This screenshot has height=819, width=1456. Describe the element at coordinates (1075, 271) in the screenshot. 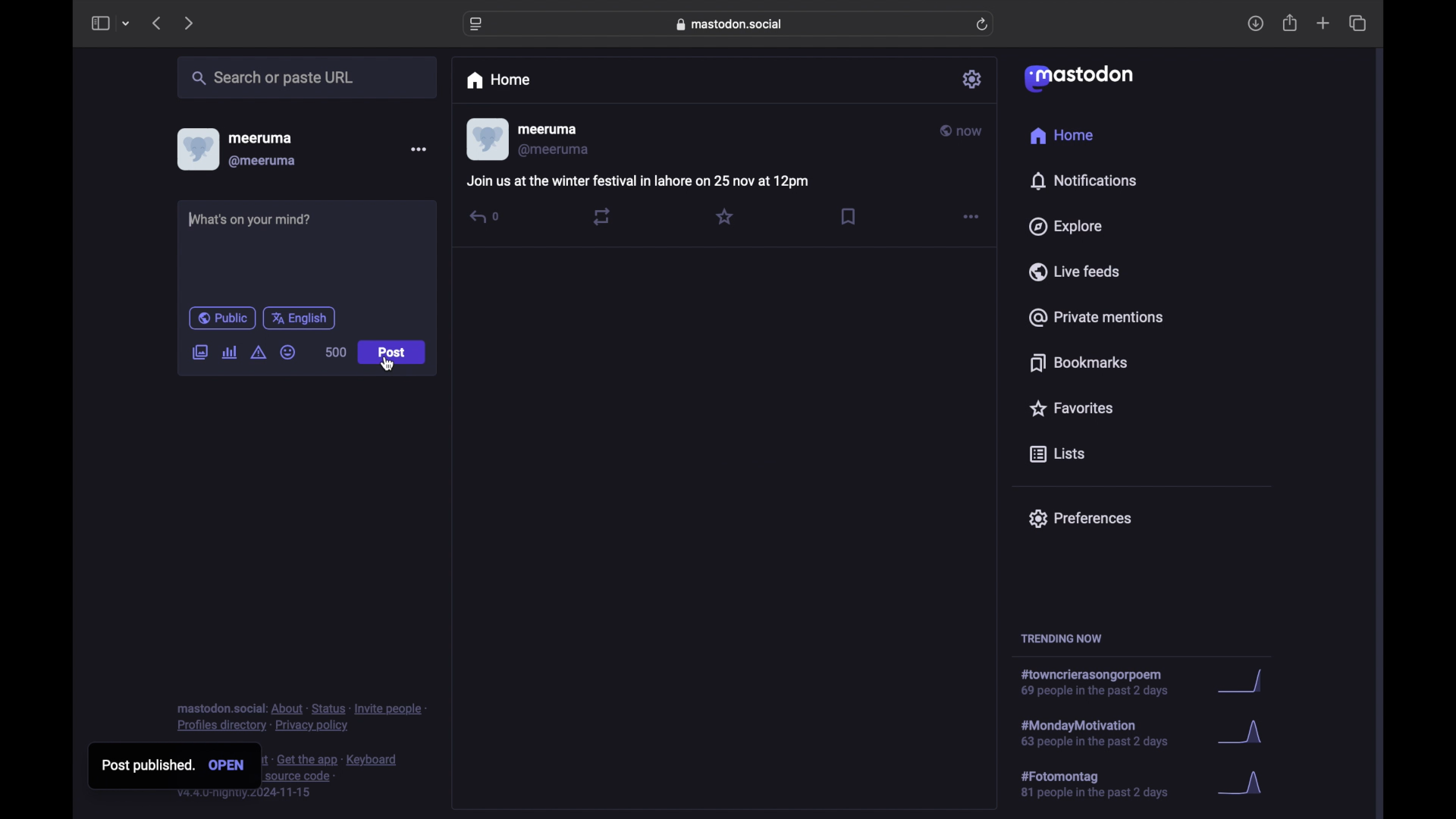

I see `live feeds` at that location.